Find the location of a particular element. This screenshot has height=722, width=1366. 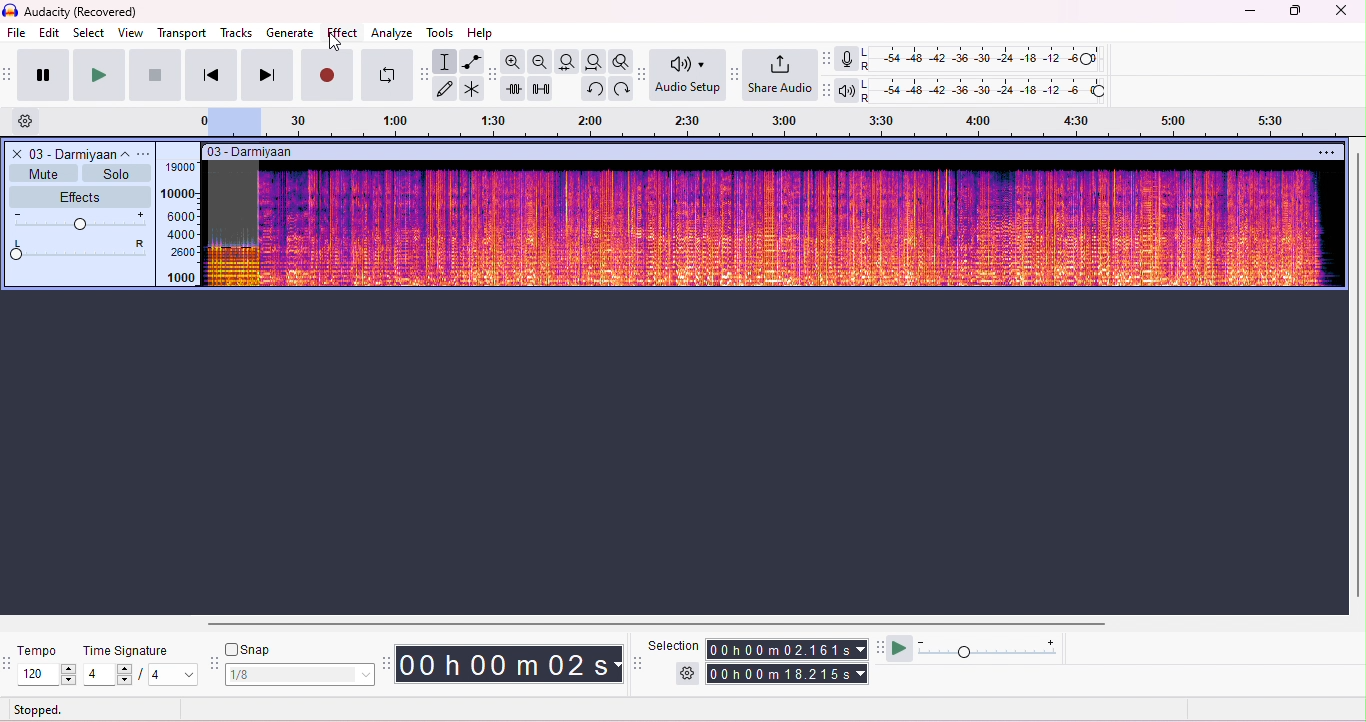

horizontal scroll bar is located at coordinates (664, 622).